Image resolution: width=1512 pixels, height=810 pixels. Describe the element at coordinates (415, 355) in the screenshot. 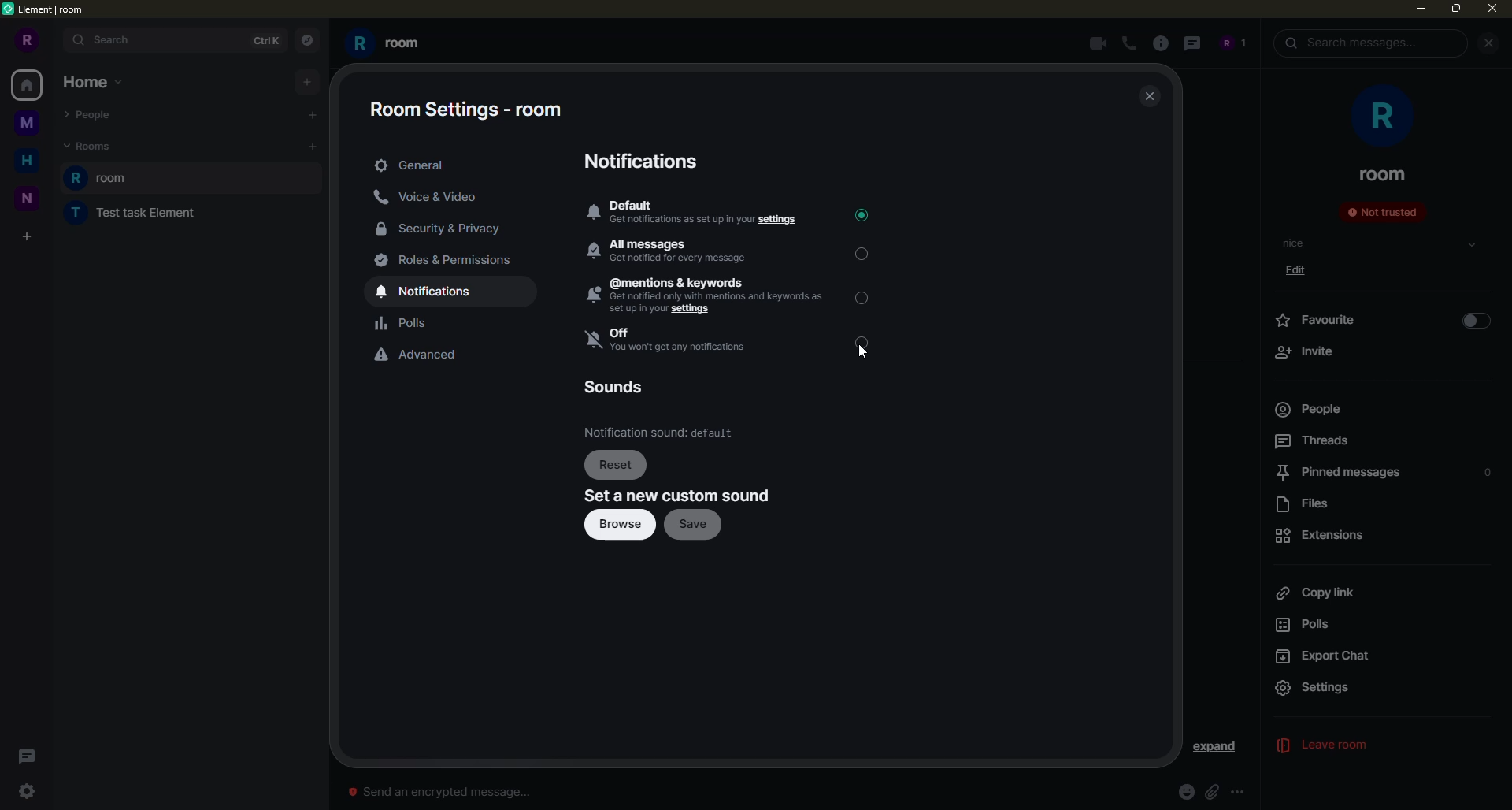

I see `advanced` at that location.